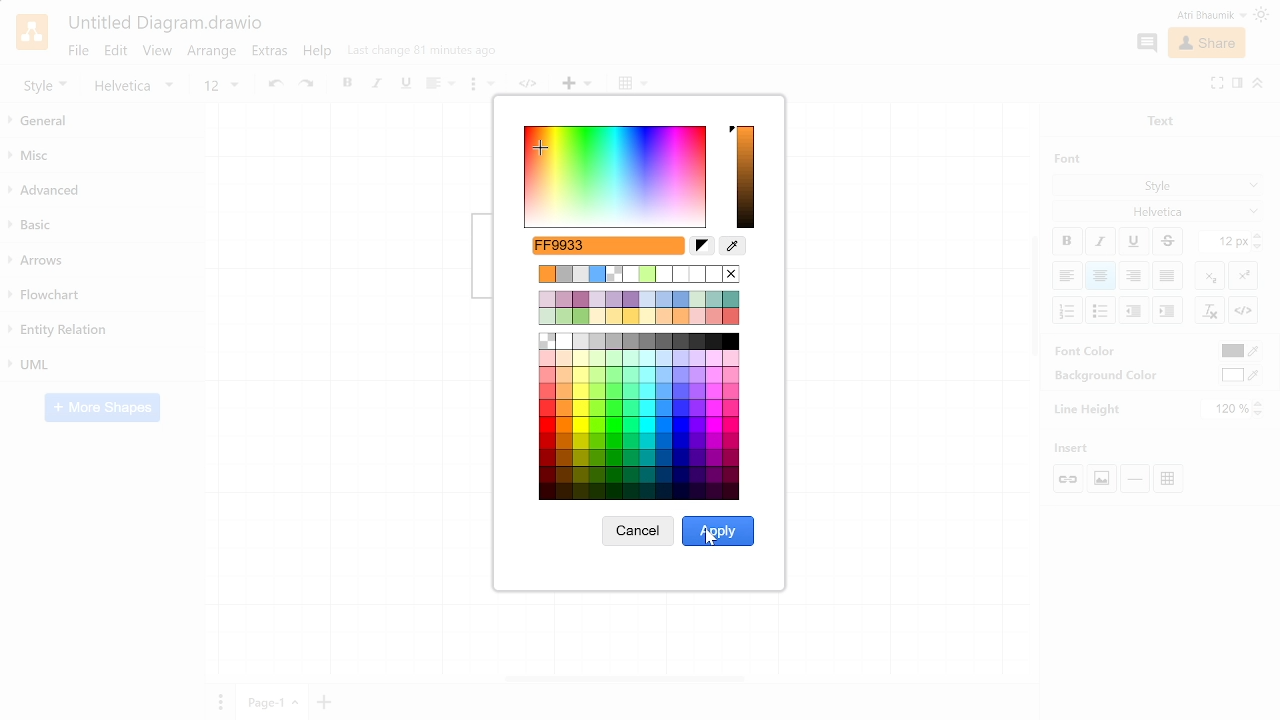 This screenshot has height=720, width=1280. What do you see at coordinates (138, 86) in the screenshot?
I see `helvetica` at bounding box center [138, 86].